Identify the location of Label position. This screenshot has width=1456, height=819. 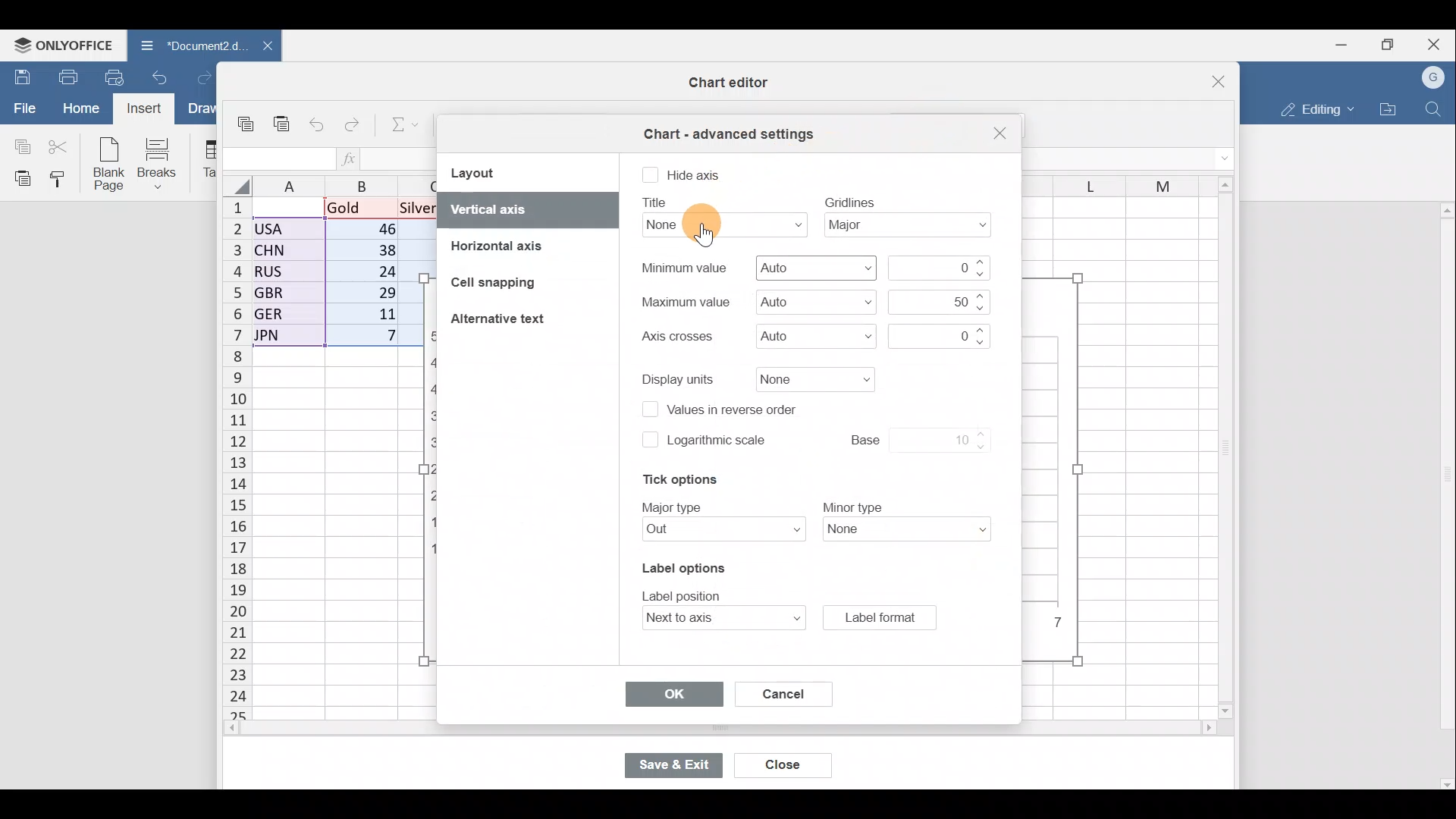
(708, 620).